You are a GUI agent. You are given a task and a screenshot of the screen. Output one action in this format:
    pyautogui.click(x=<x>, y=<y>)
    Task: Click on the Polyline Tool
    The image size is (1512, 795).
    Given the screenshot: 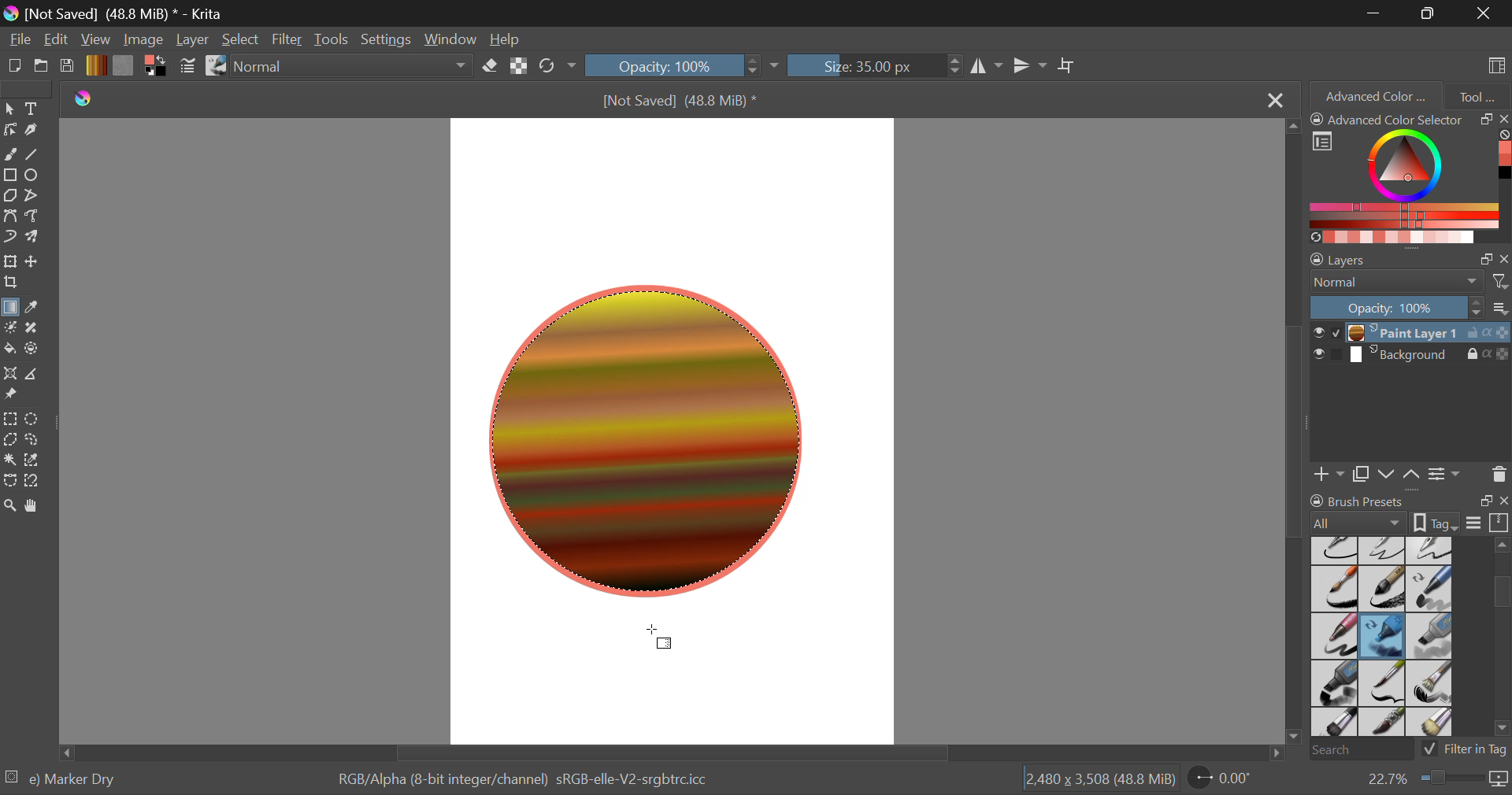 What is the action you would take?
    pyautogui.click(x=34, y=195)
    